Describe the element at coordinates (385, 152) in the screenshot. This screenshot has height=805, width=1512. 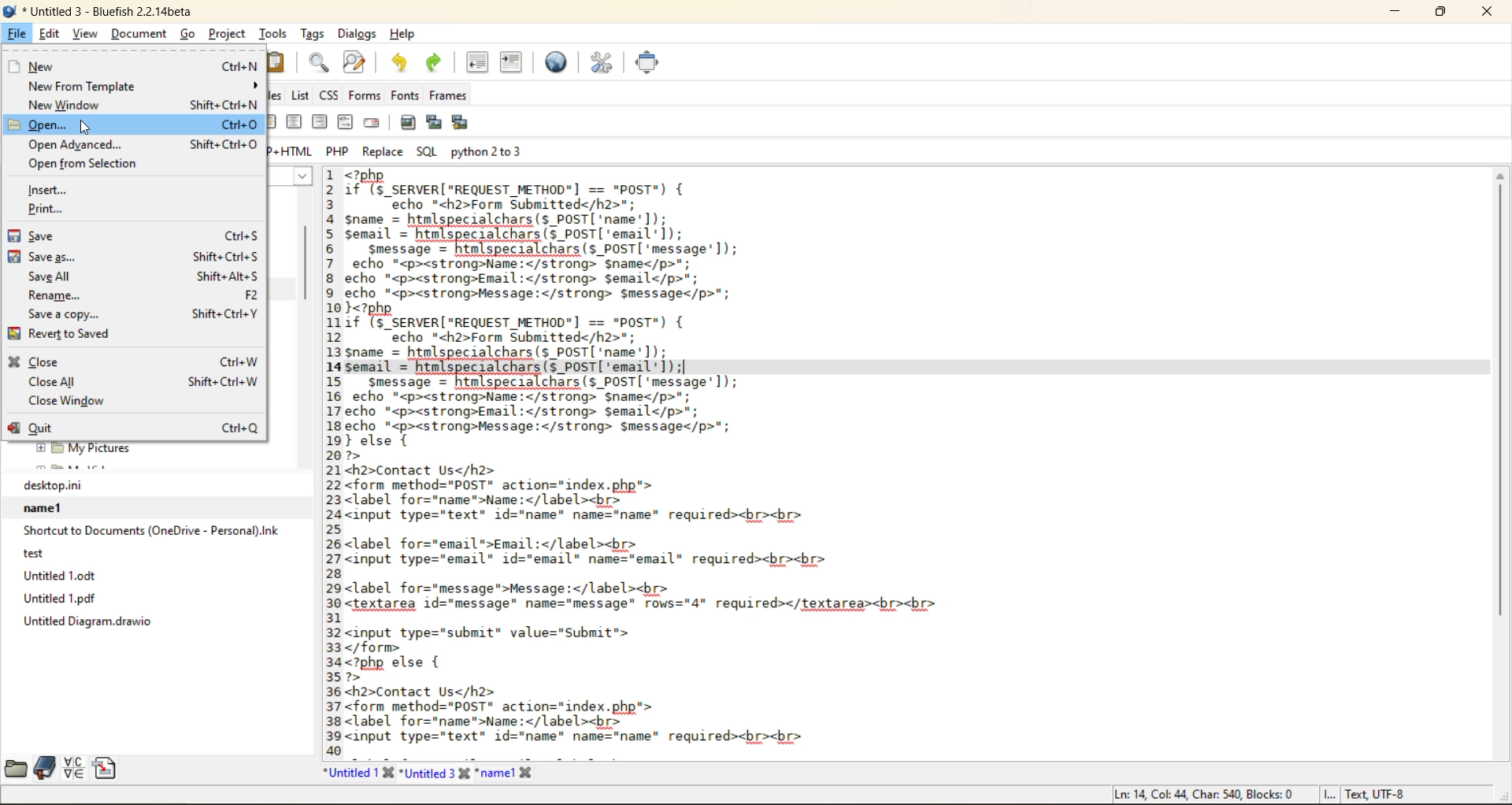
I see `replace` at that location.